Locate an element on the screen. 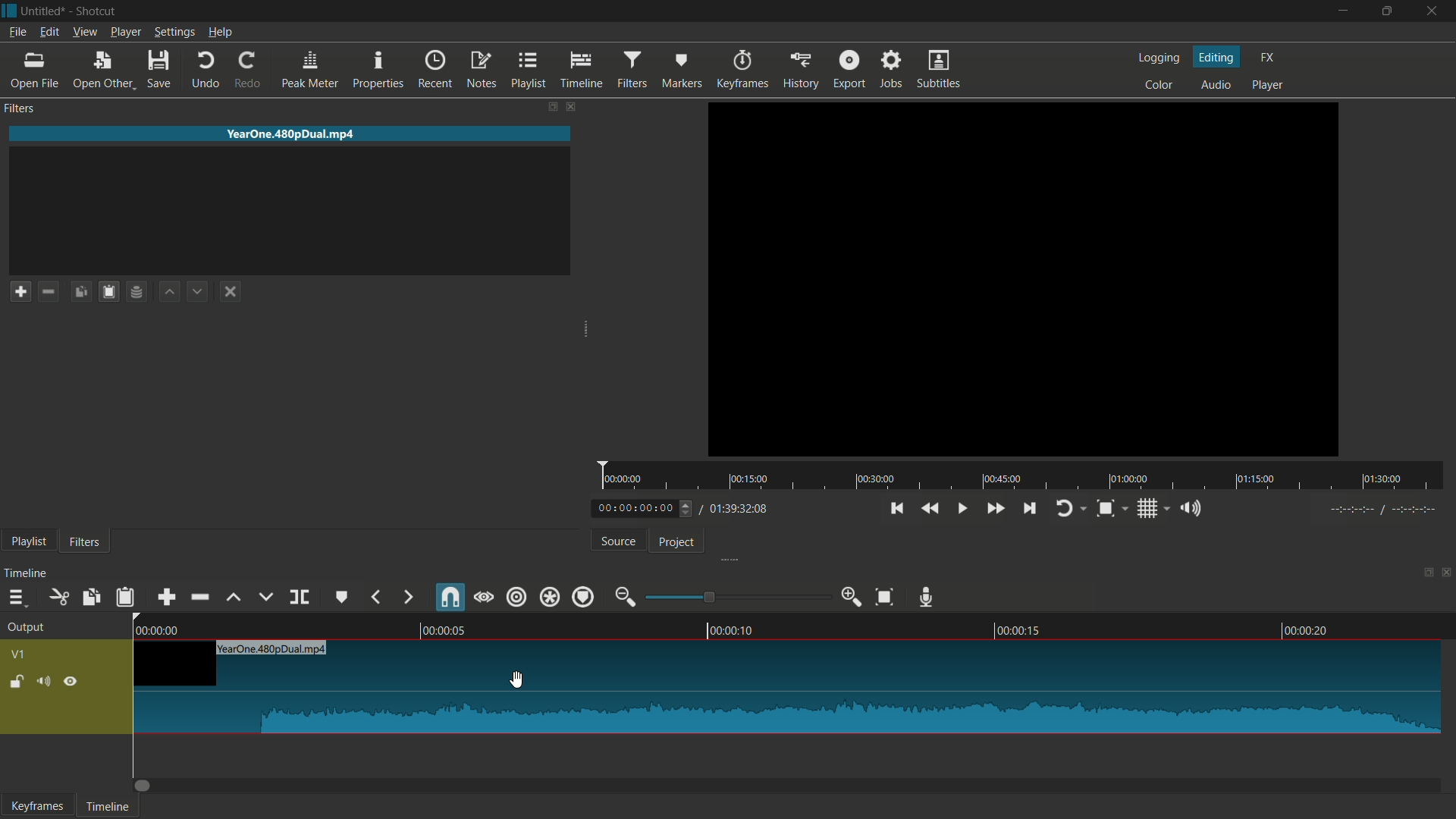 The height and width of the screenshot is (819, 1456). scrub while dragging is located at coordinates (485, 597).